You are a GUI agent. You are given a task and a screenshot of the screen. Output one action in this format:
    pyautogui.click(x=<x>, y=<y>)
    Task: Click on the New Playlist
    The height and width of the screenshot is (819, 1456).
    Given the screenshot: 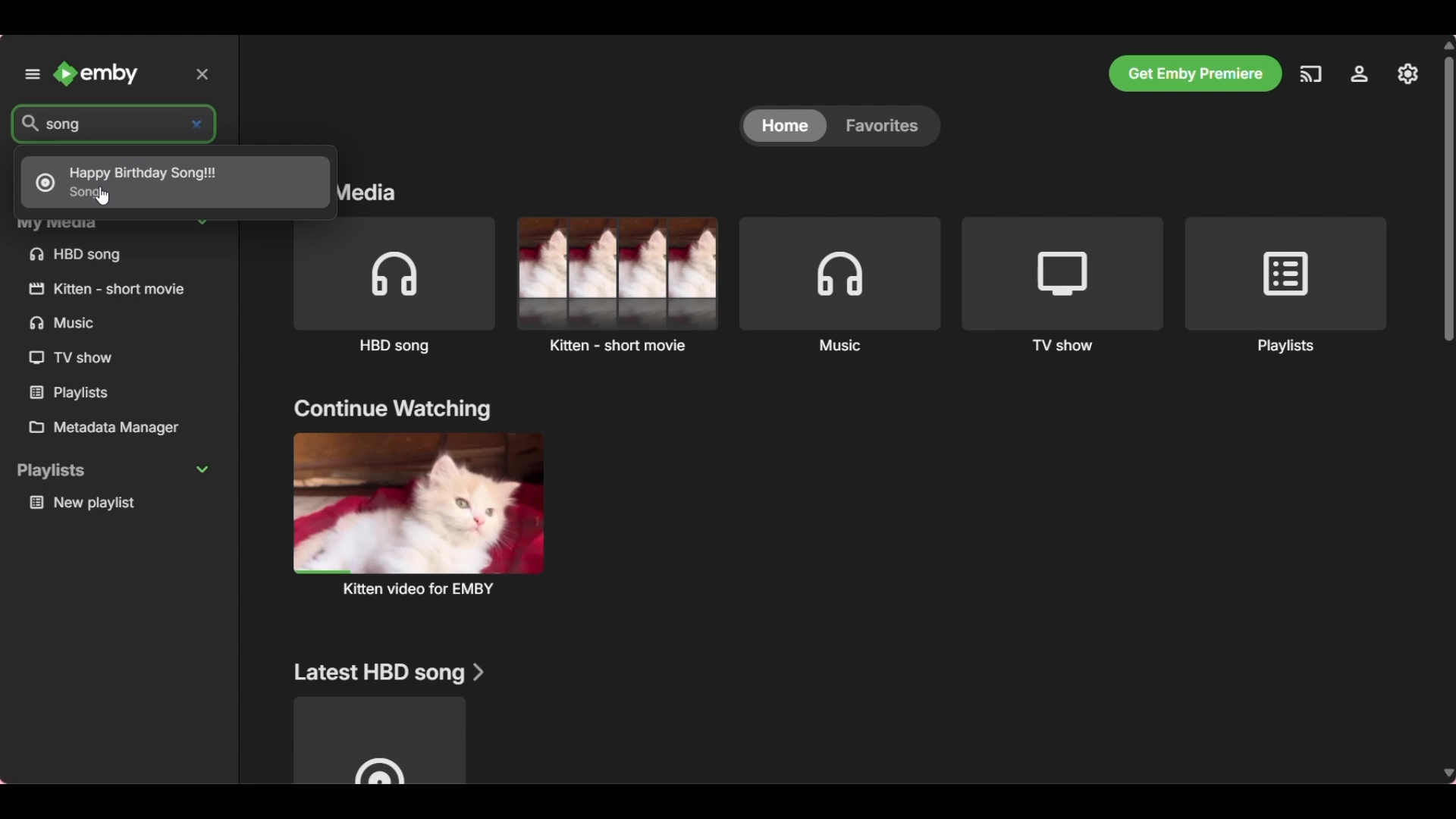 What is the action you would take?
    pyautogui.click(x=118, y=504)
    